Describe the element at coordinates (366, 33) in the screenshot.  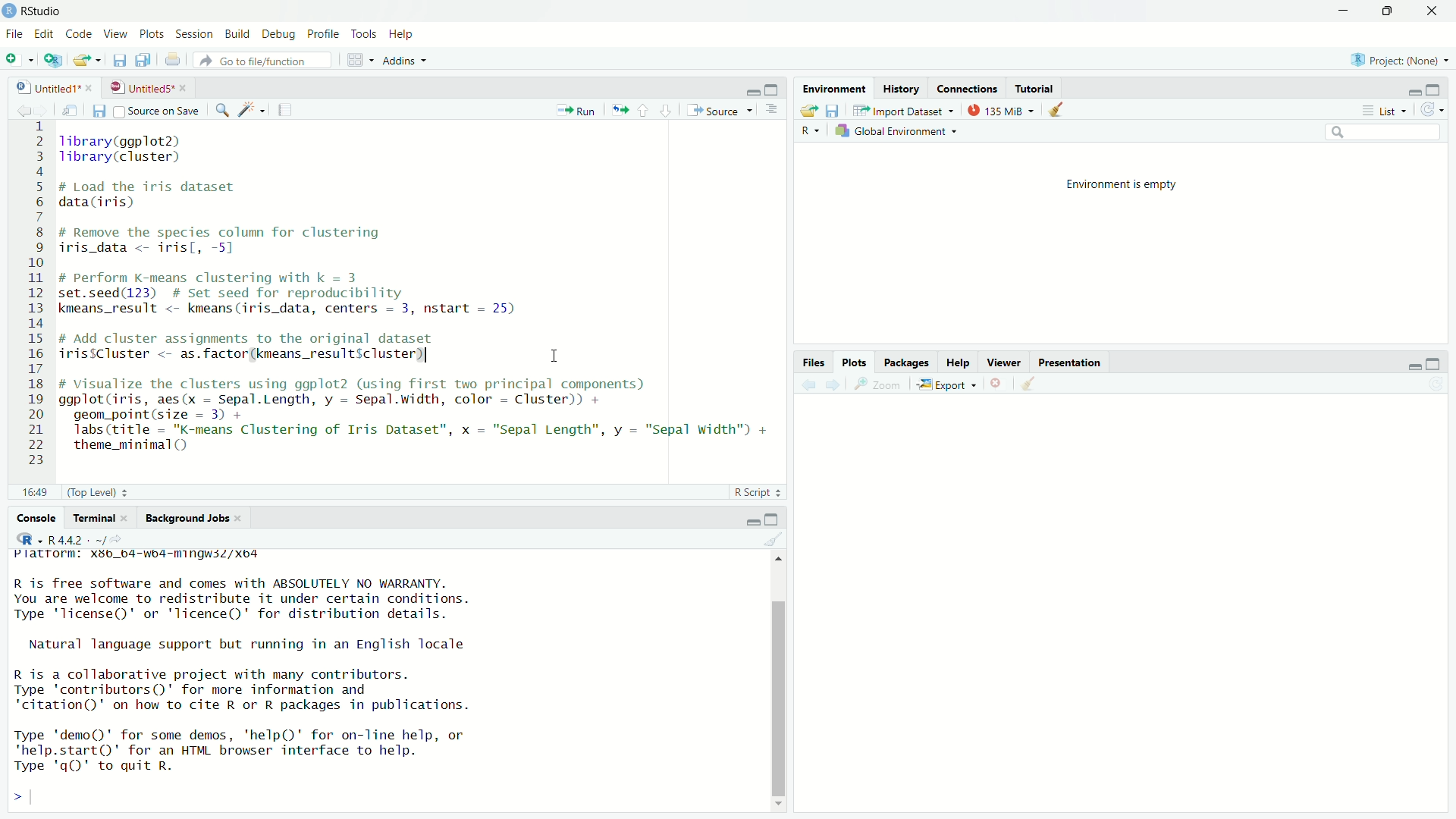
I see `tools` at that location.